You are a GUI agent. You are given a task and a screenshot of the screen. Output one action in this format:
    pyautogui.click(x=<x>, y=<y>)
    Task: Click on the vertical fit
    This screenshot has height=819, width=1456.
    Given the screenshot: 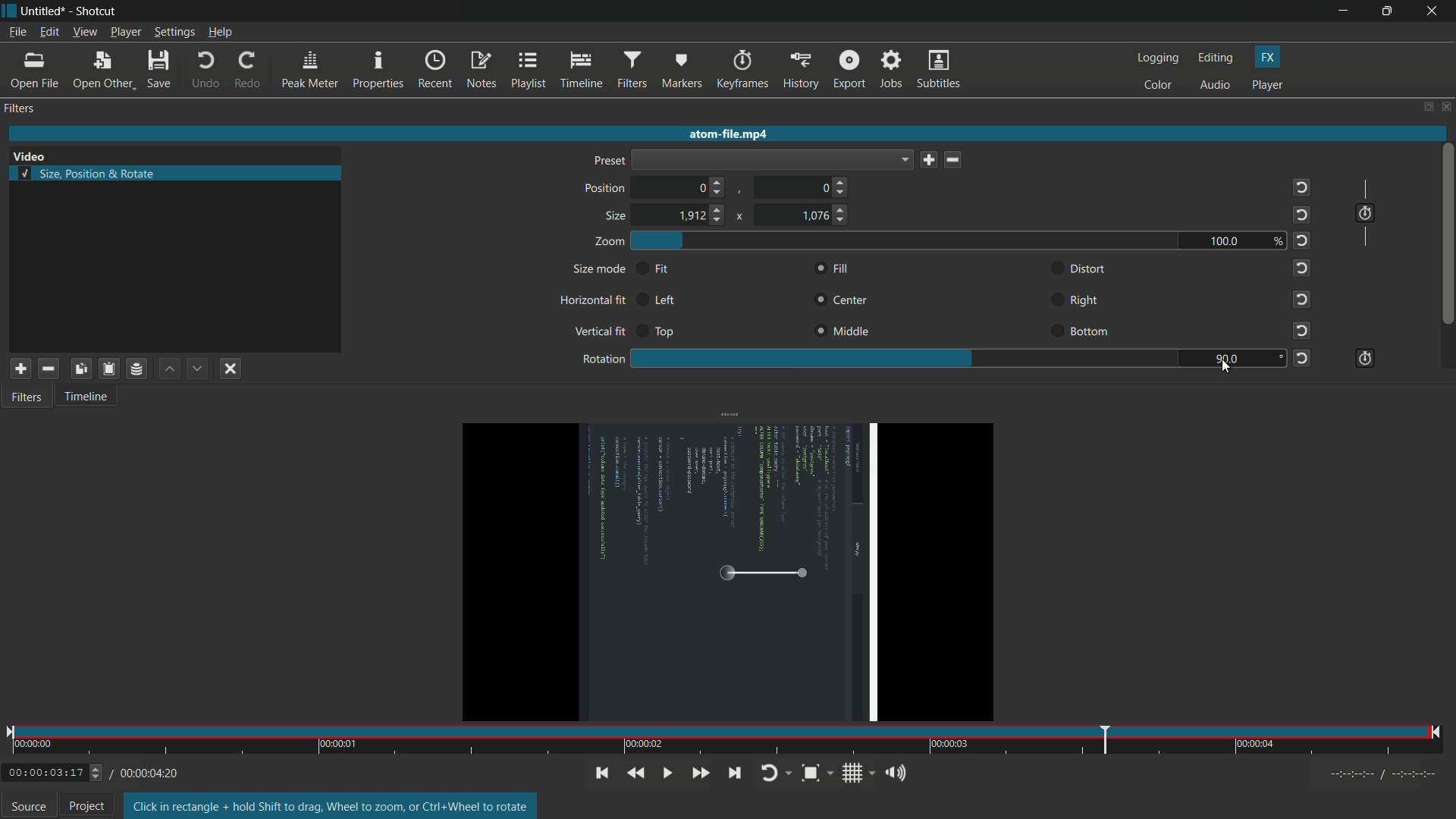 What is the action you would take?
    pyautogui.click(x=598, y=332)
    